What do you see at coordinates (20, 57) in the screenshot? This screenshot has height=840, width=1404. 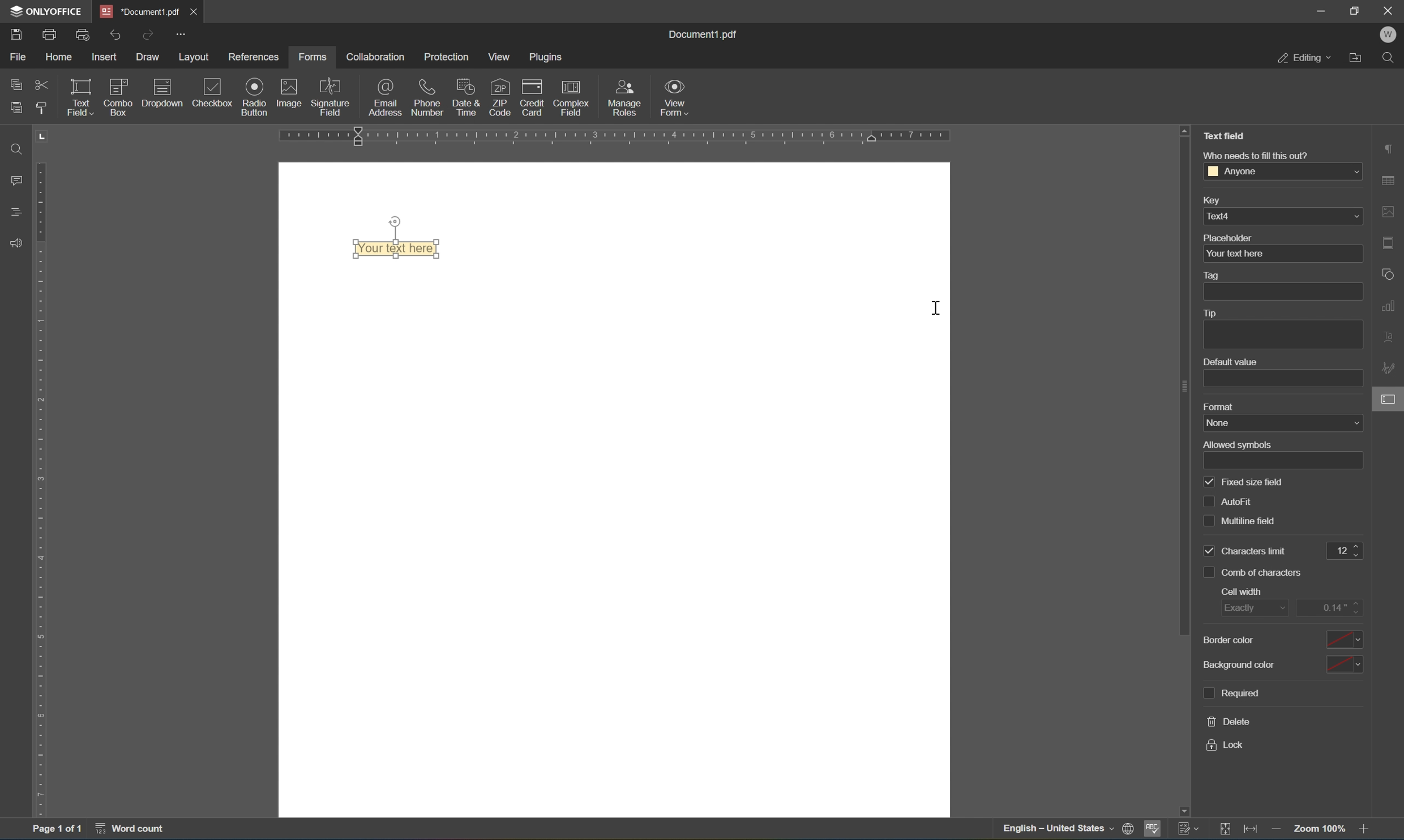 I see `file` at bounding box center [20, 57].